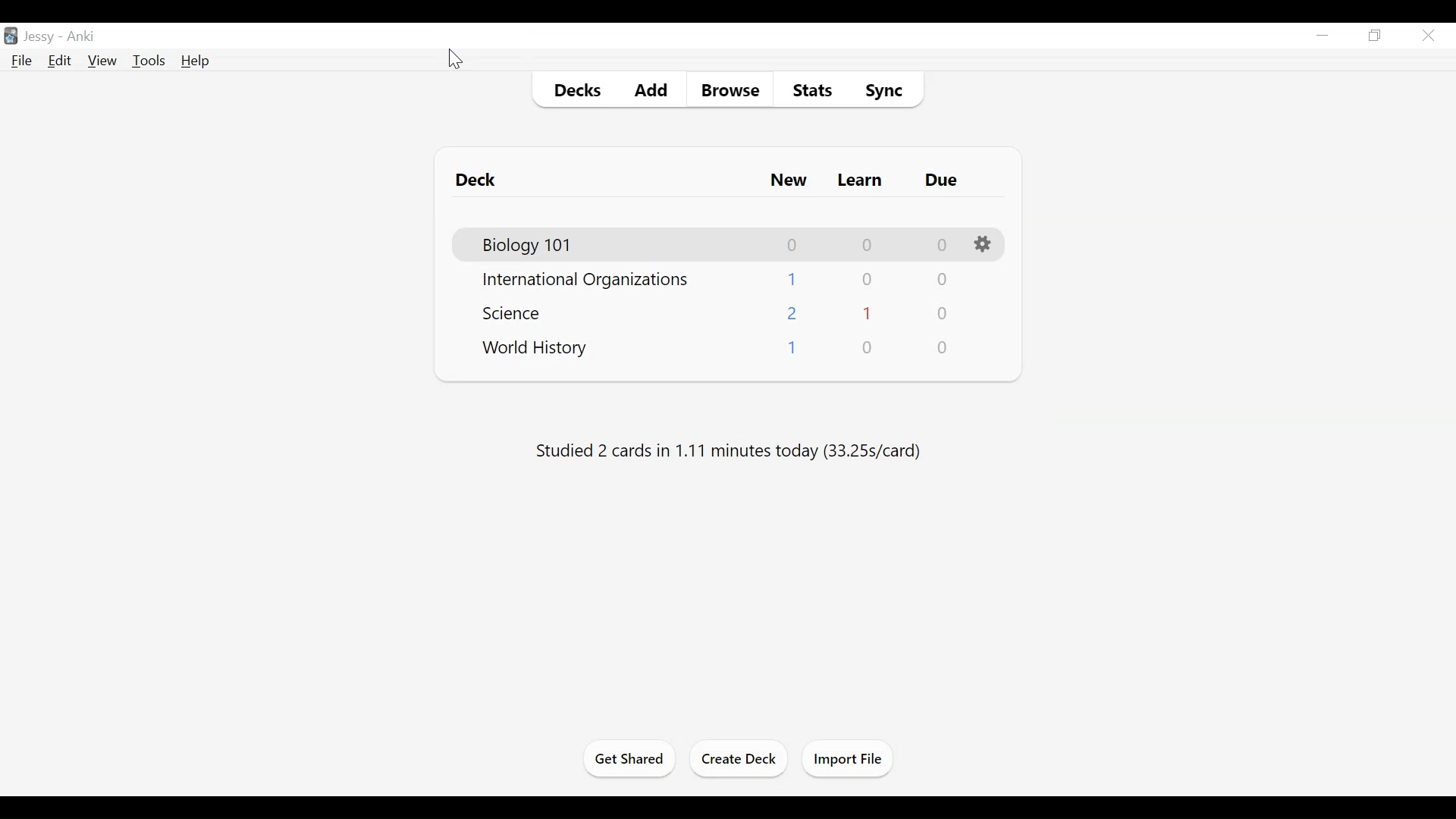 The height and width of the screenshot is (819, 1456). Describe the element at coordinates (941, 347) in the screenshot. I see `Due Cards Count` at that location.